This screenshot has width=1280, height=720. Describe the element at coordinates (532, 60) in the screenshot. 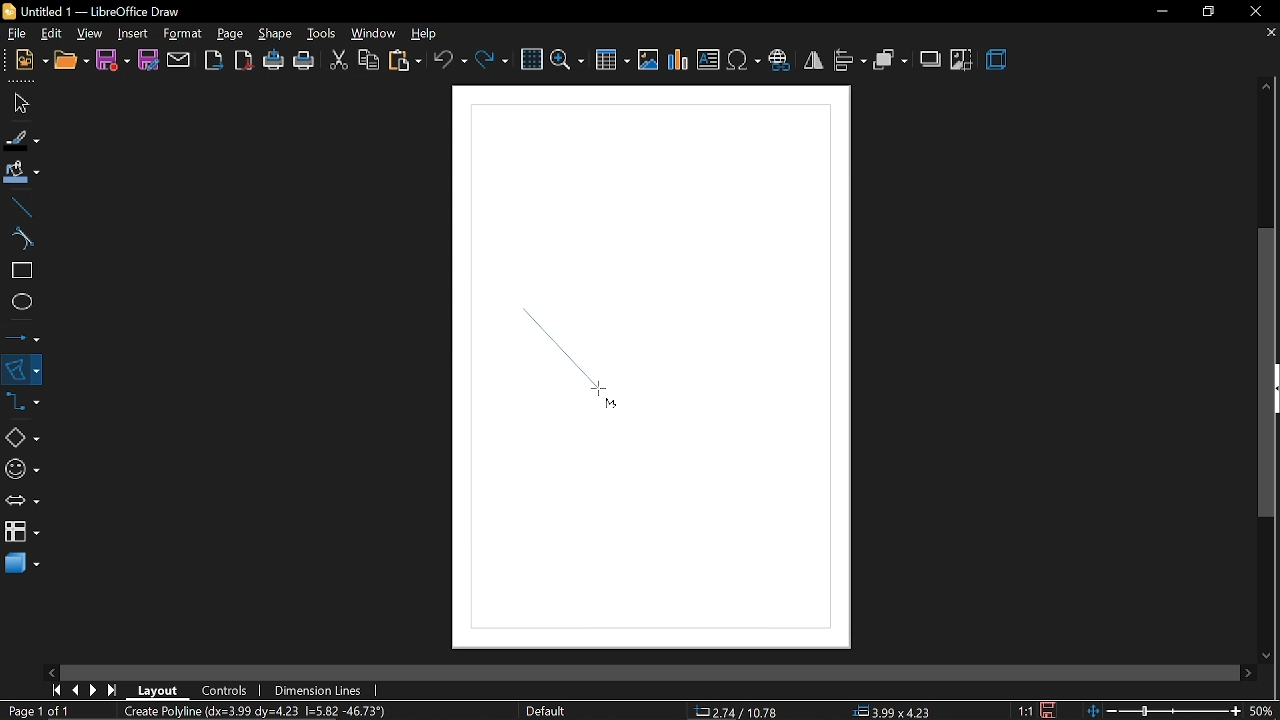

I see `grid` at that location.